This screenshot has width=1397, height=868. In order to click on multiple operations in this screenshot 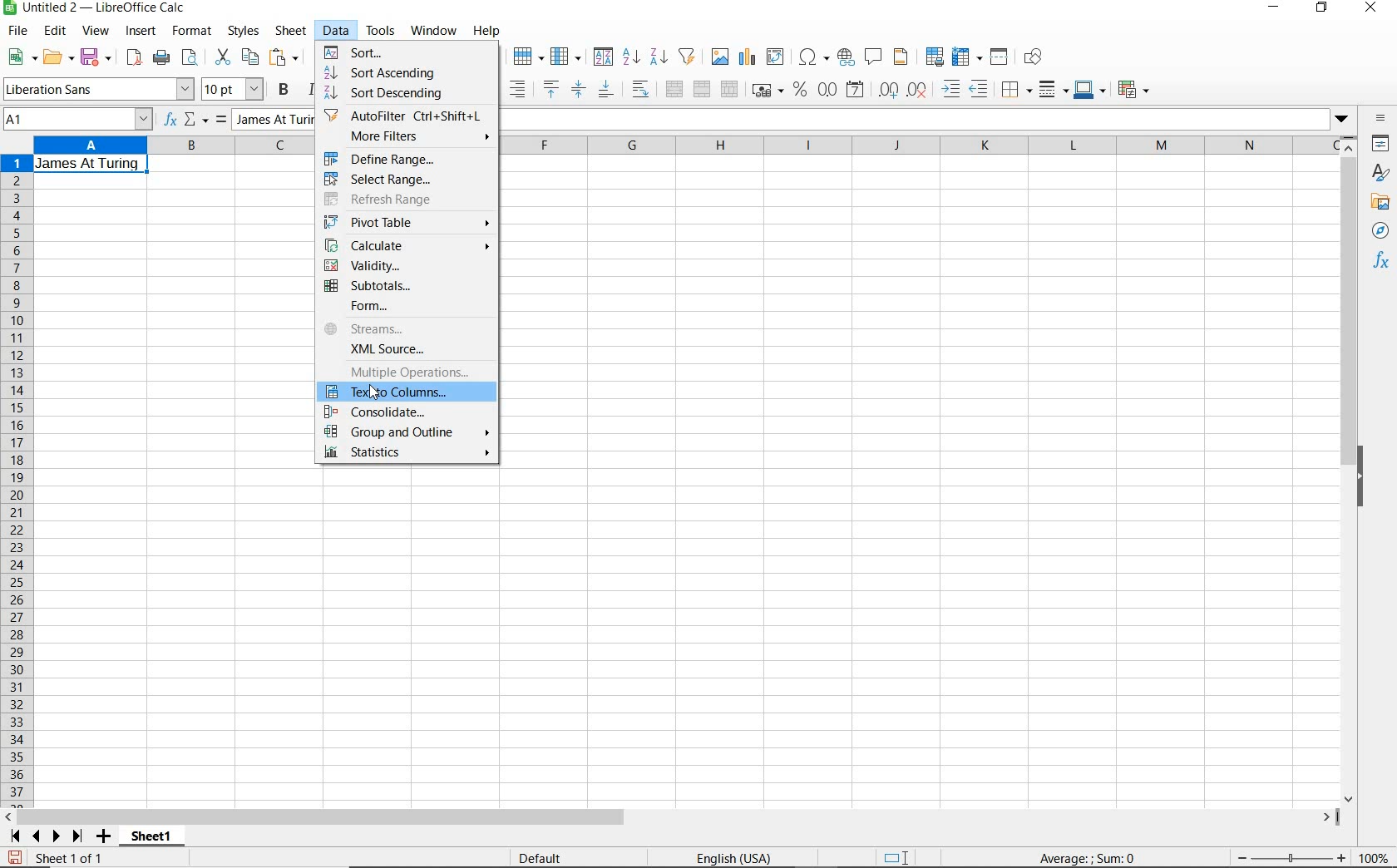, I will do `click(412, 372)`.